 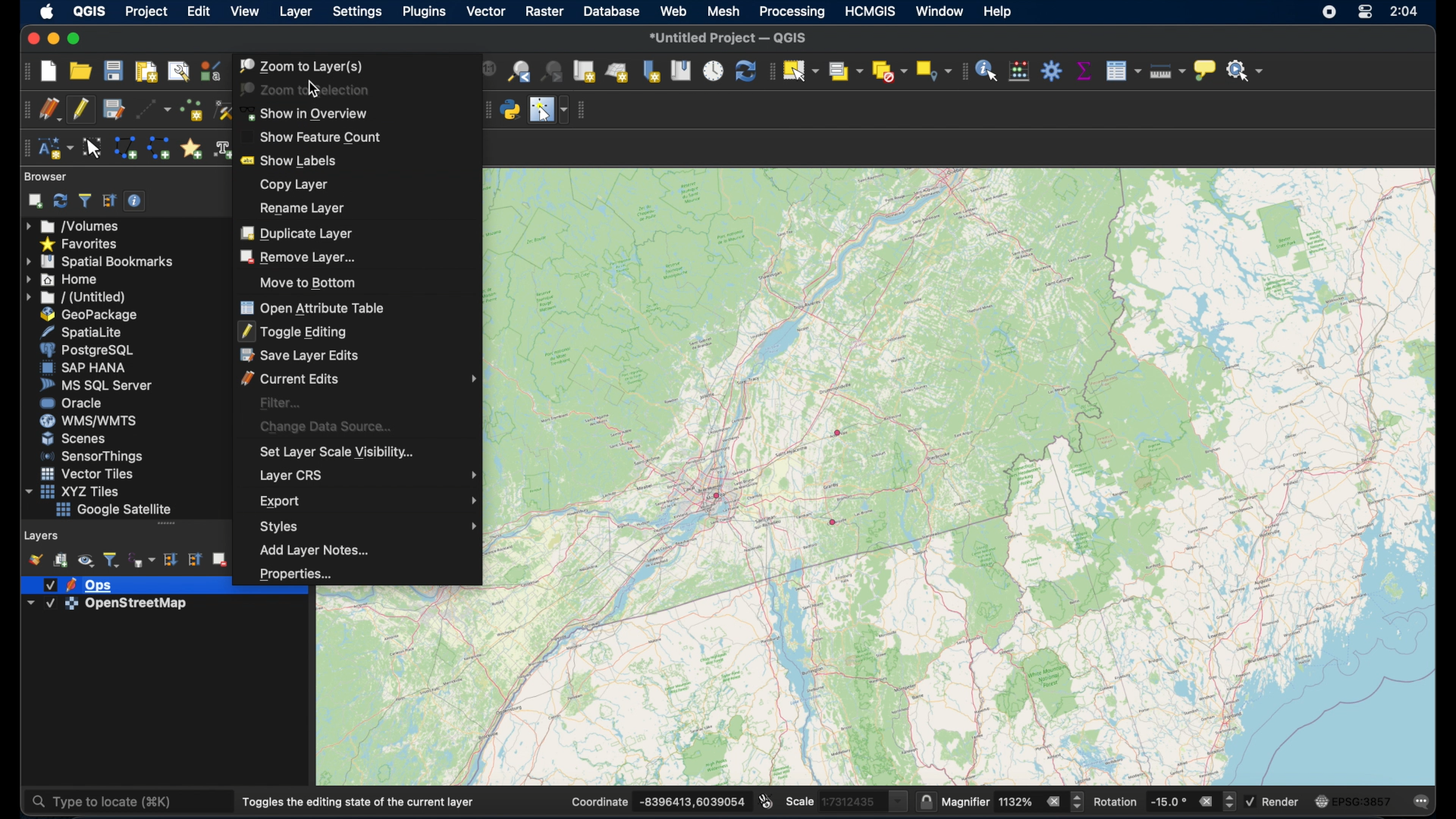 What do you see at coordinates (509, 110) in the screenshot?
I see `python console` at bounding box center [509, 110].